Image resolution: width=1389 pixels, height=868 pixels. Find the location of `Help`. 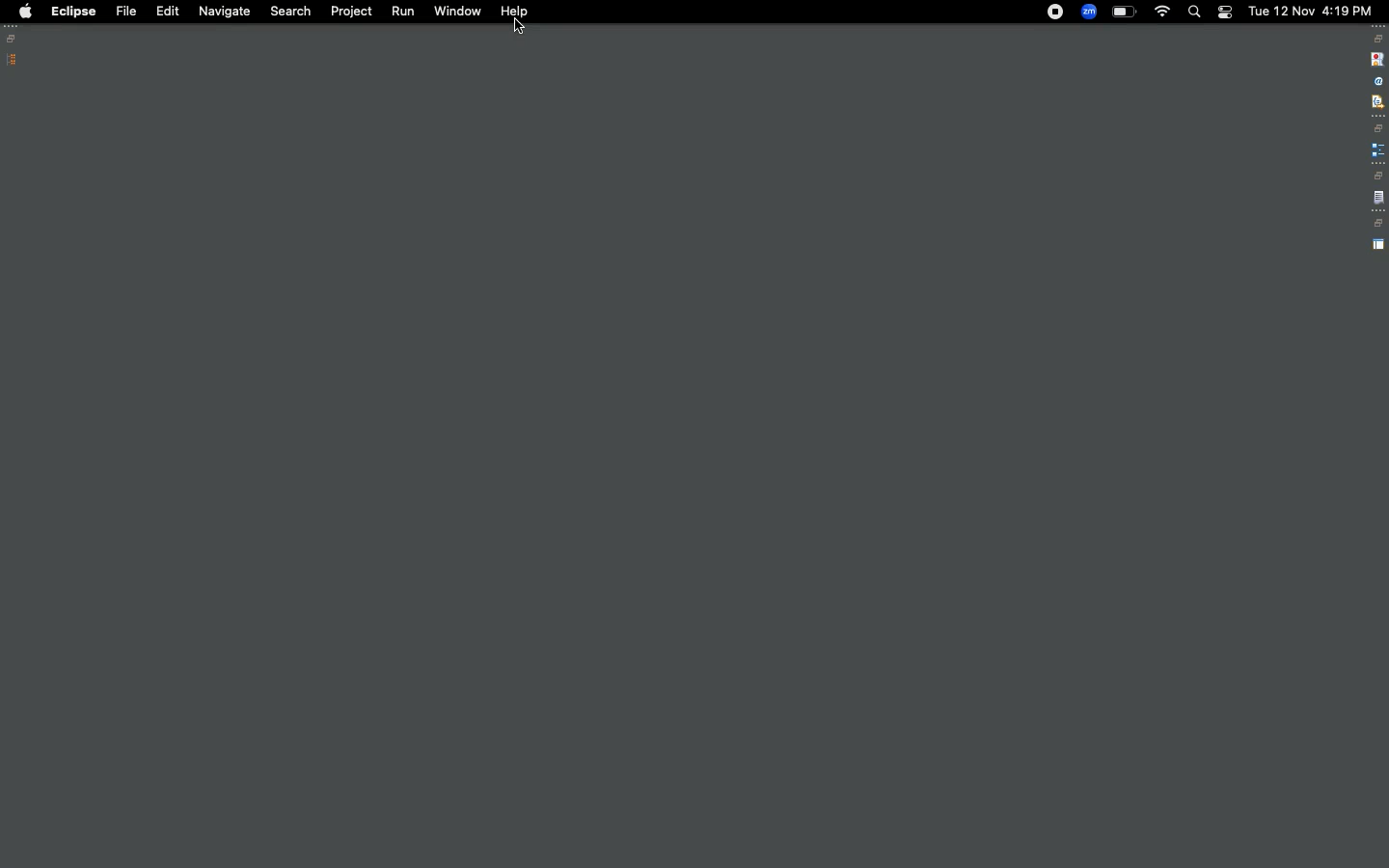

Help is located at coordinates (514, 12).